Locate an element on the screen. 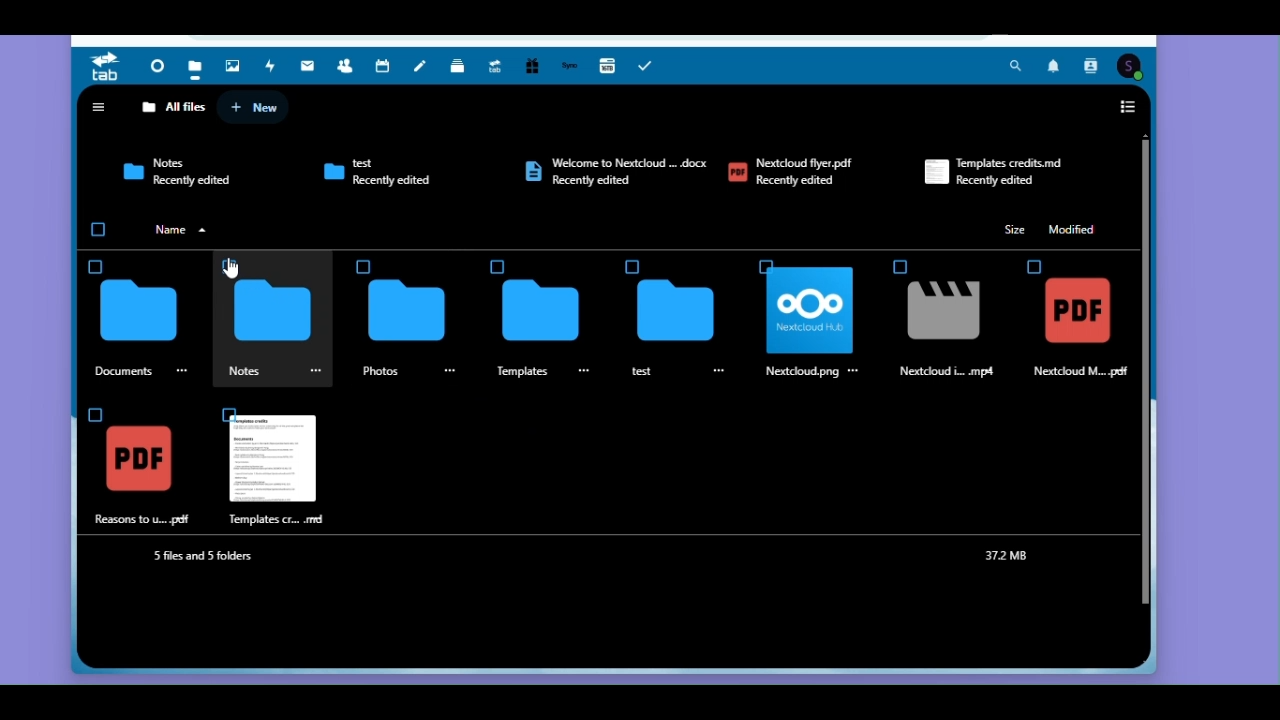 Image resolution: width=1280 pixels, height=720 pixels. Ellipsis is located at coordinates (318, 370).